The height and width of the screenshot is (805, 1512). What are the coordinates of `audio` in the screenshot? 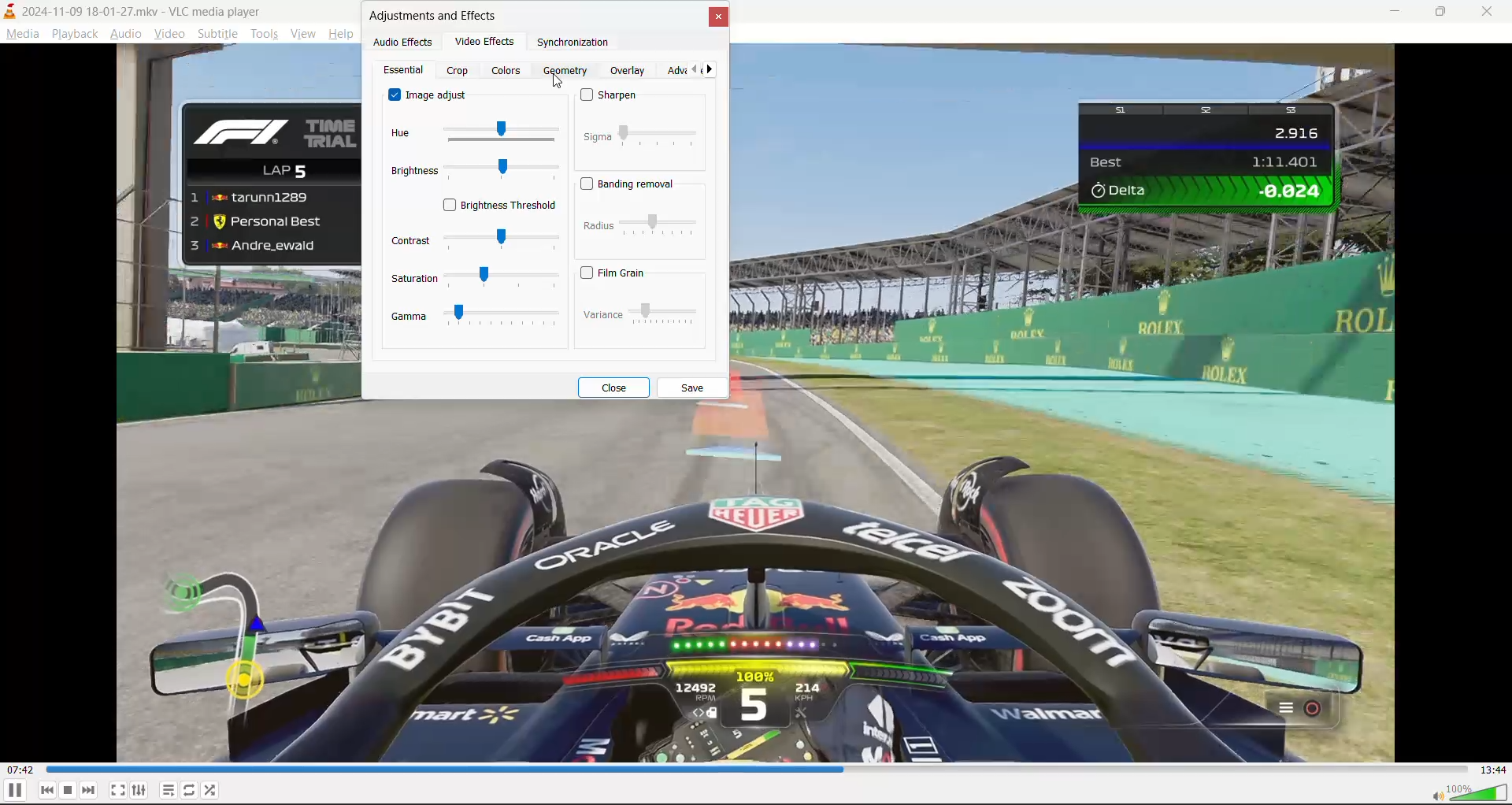 It's located at (127, 33).